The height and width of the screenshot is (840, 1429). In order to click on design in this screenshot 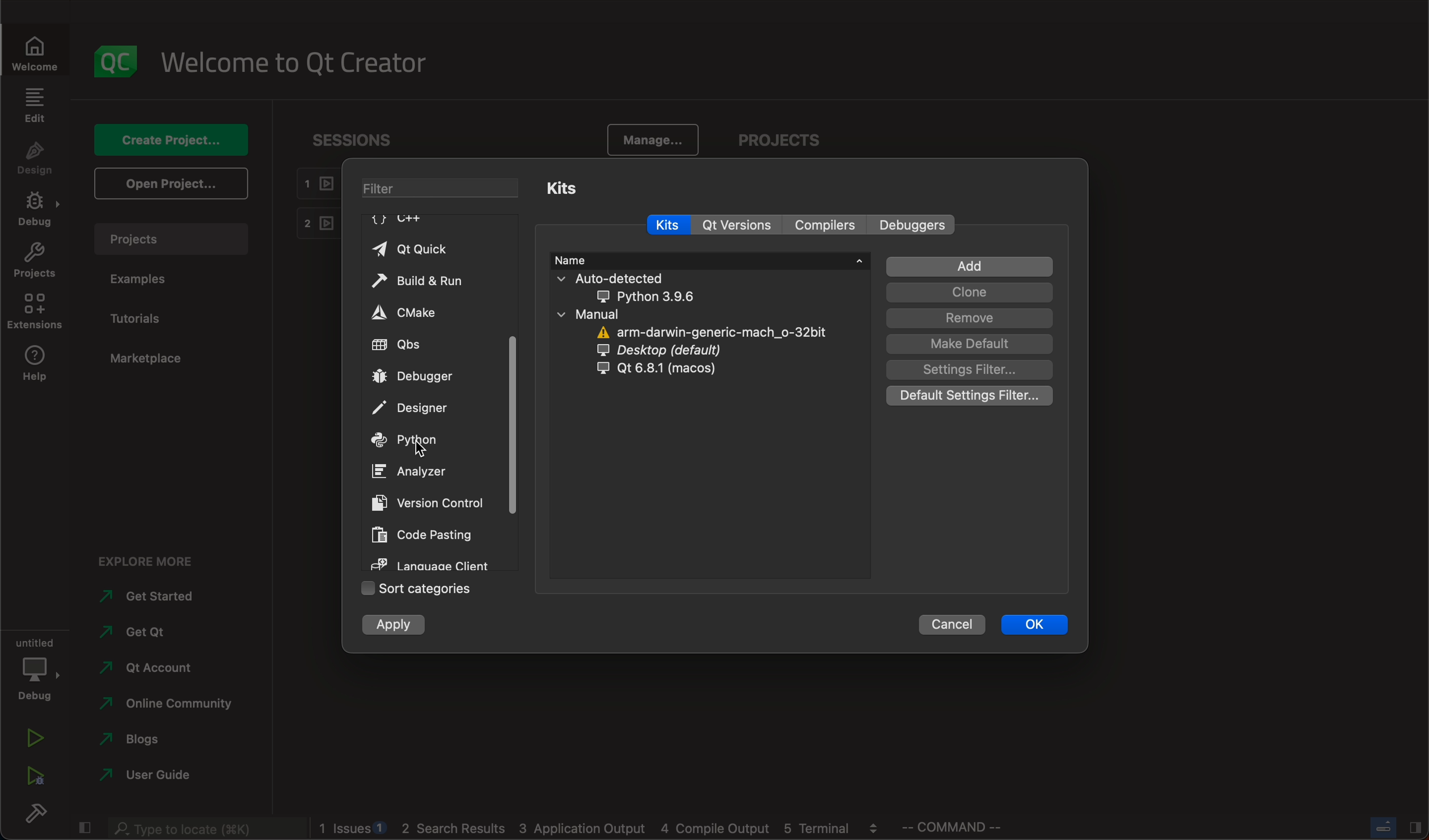, I will do `click(31, 159)`.